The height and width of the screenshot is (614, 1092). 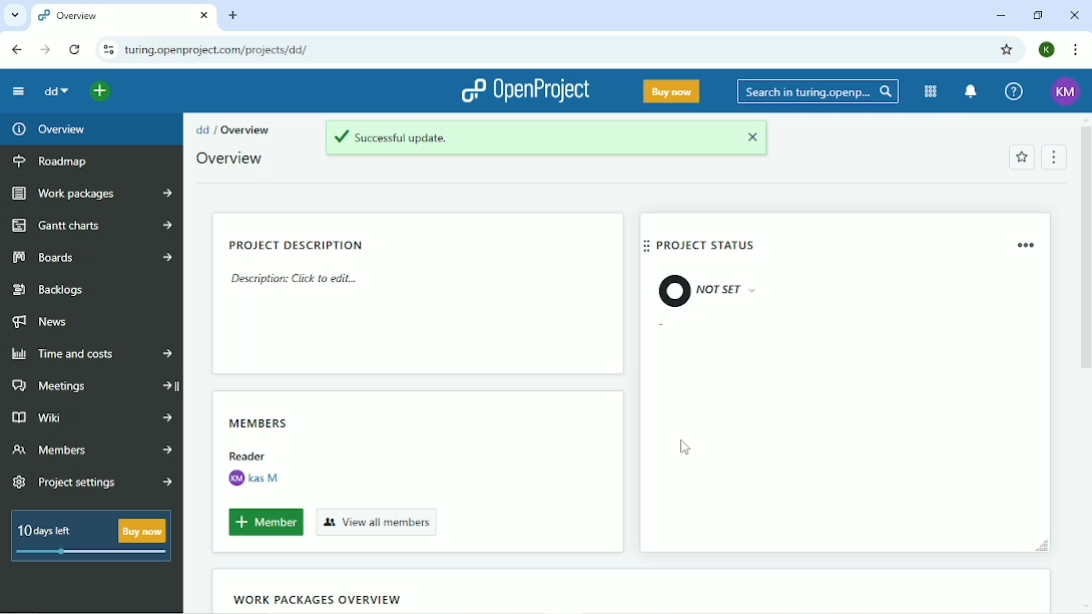 I want to click on New tab, so click(x=234, y=15).